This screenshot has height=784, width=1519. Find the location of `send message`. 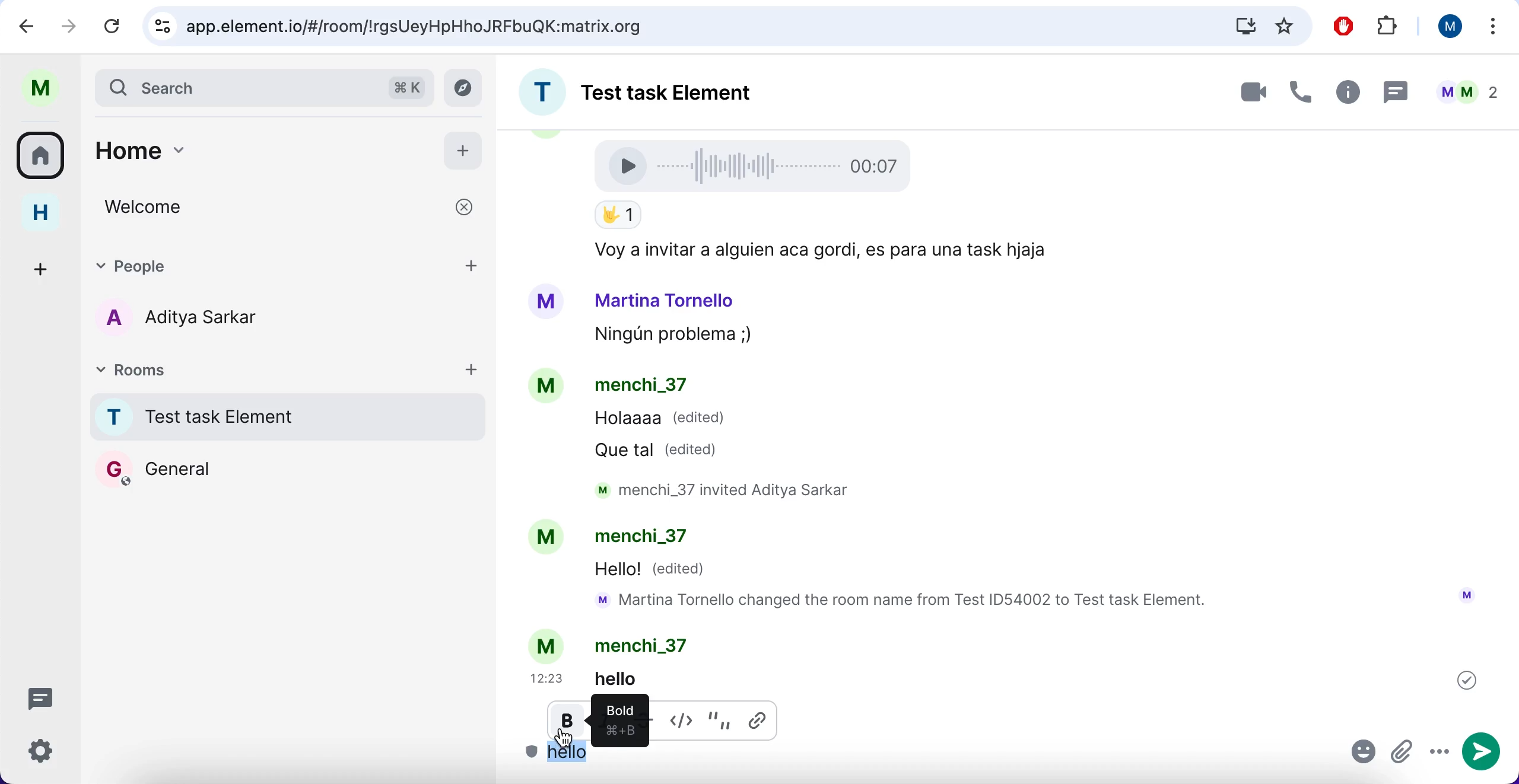

send message is located at coordinates (1484, 752).